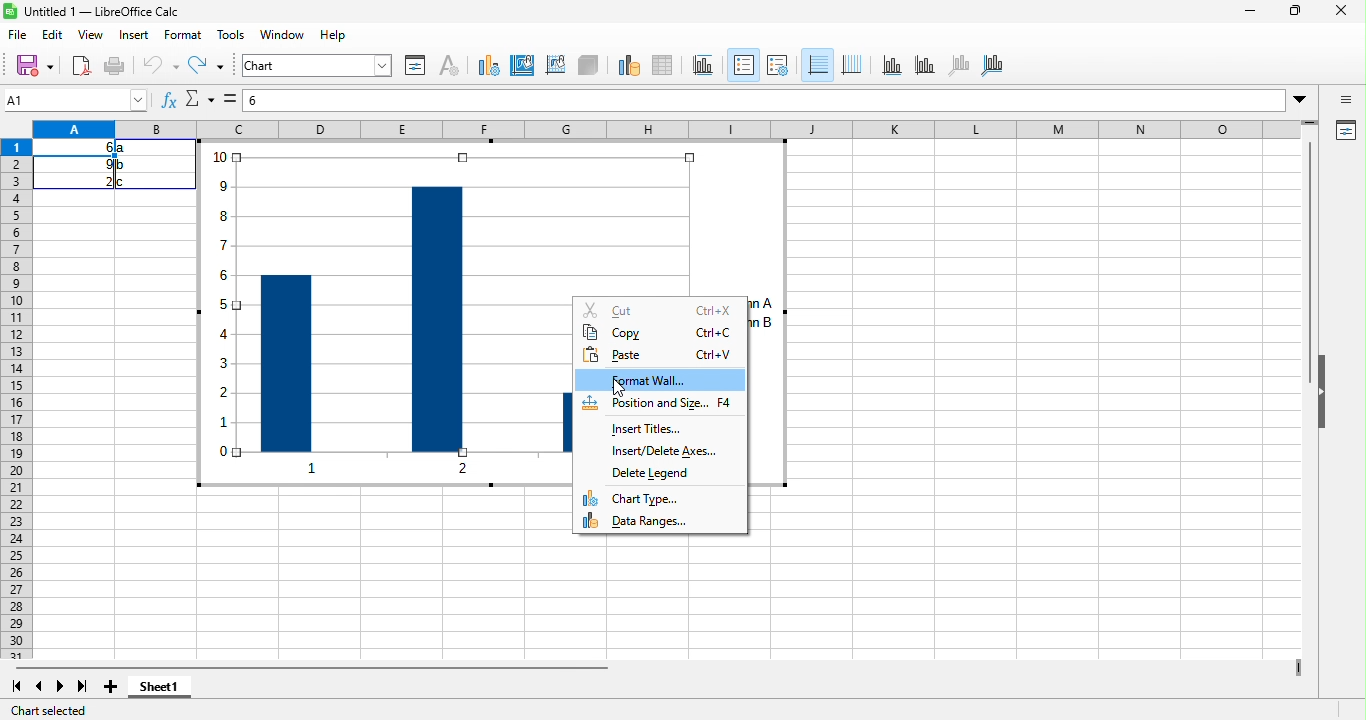  I want to click on x axis, so click(891, 64).